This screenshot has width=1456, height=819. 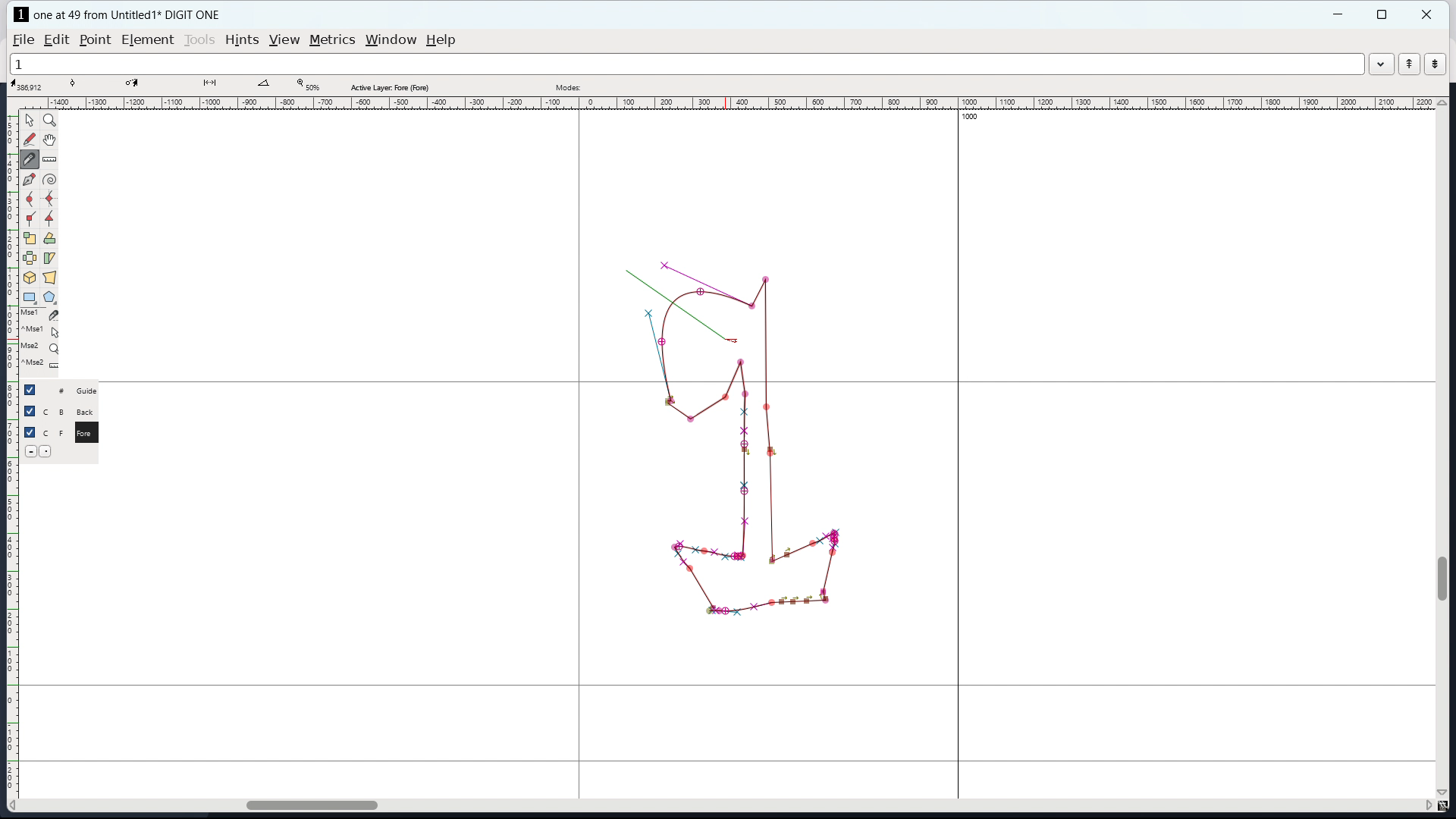 I want to click on active layer: Fore (Fore), so click(x=680, y=85).